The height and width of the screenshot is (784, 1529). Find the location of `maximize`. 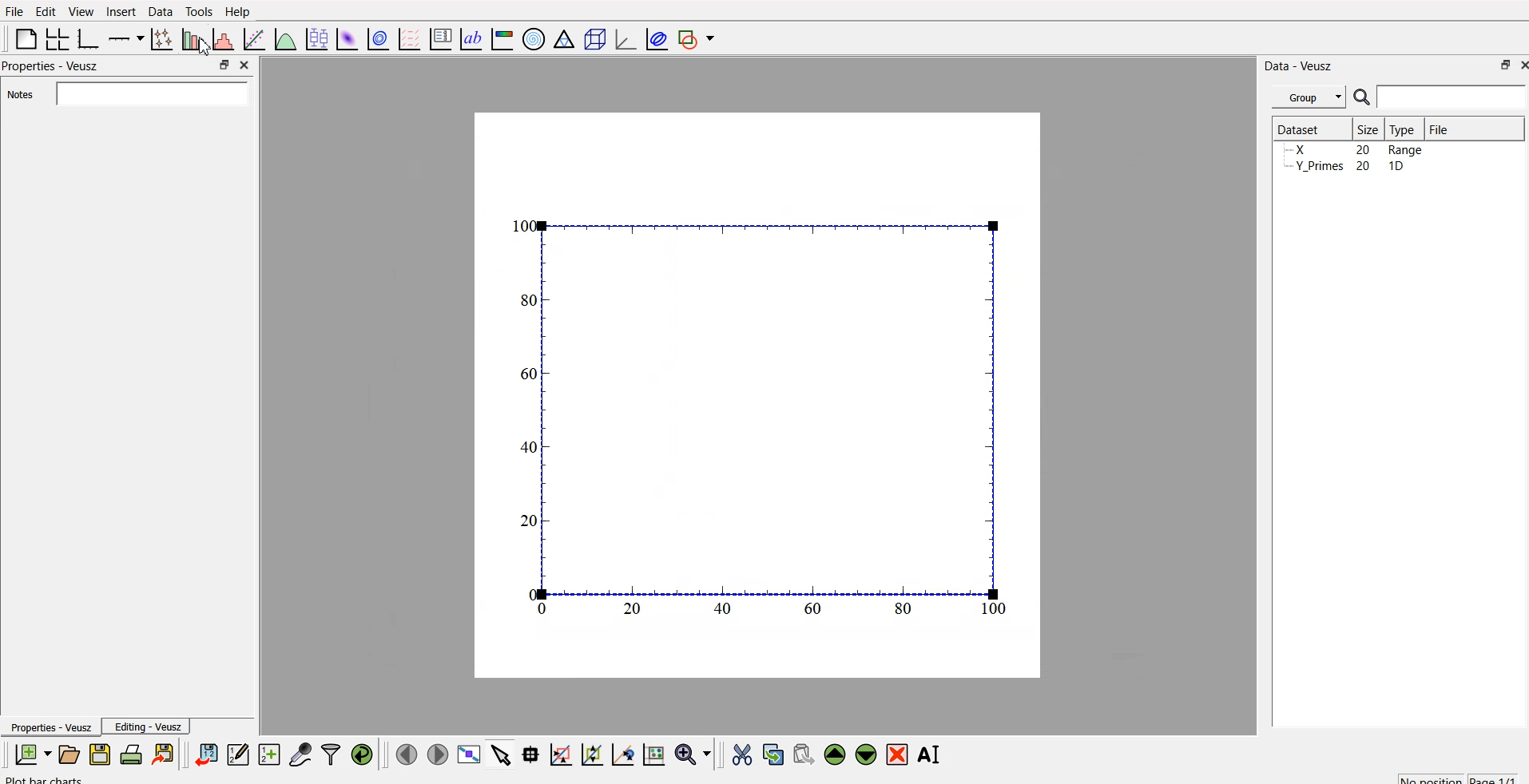

maximize is located at coordinates (220, 65).